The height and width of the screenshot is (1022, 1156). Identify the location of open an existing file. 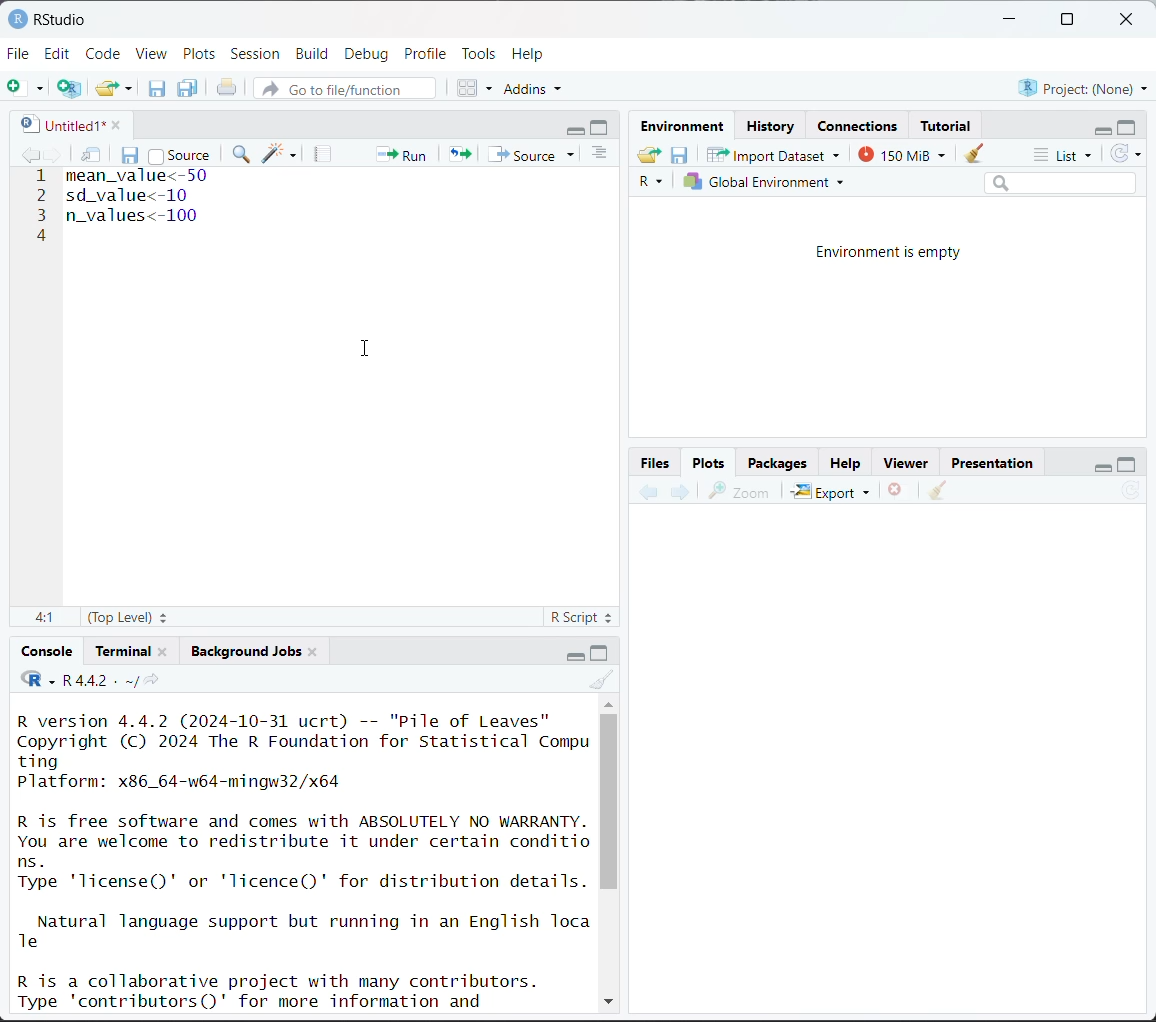
(107, 85).